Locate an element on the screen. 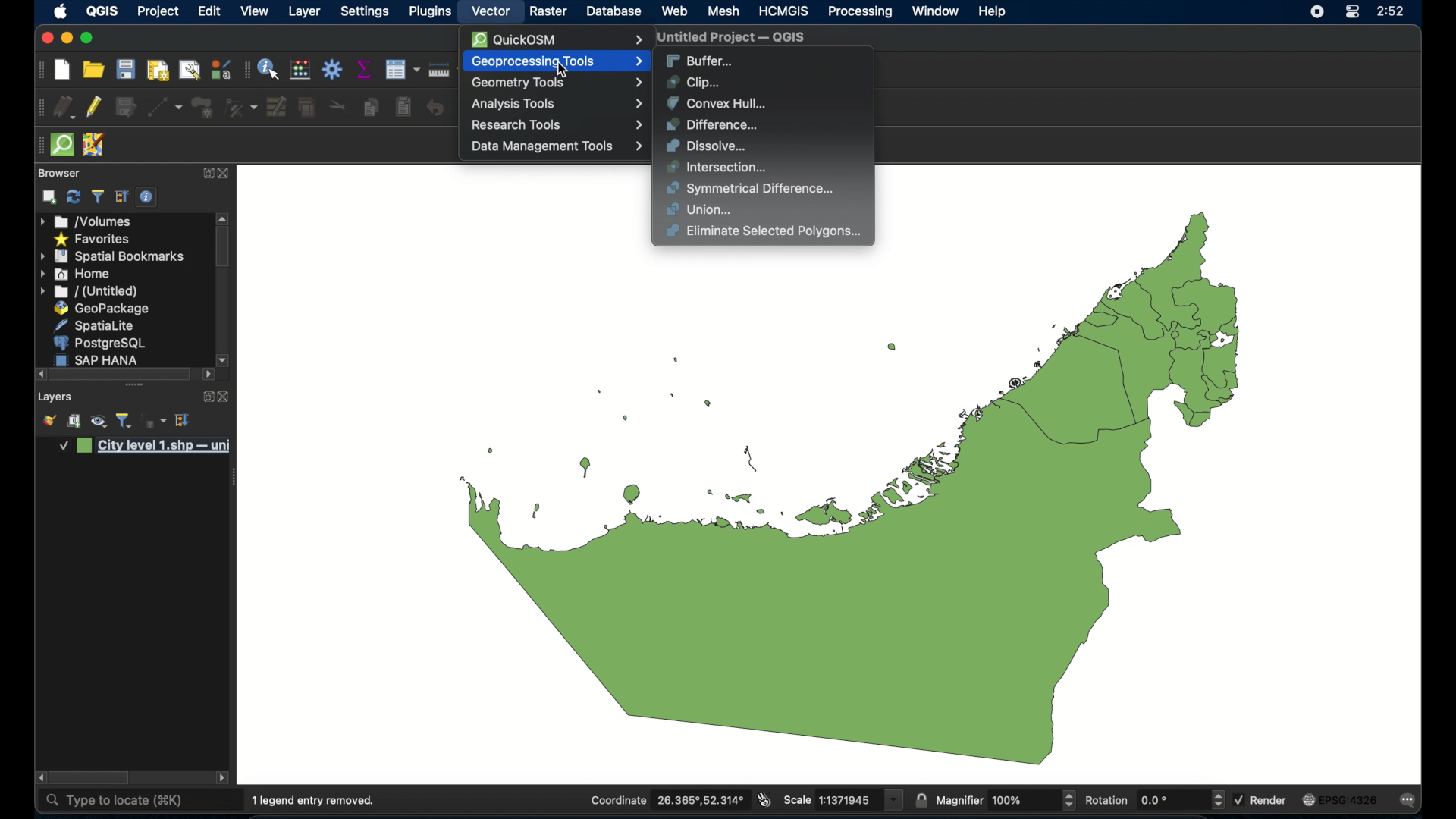 This screenshot has height=819, width=1456. expand is located at coordinates (204, 395).